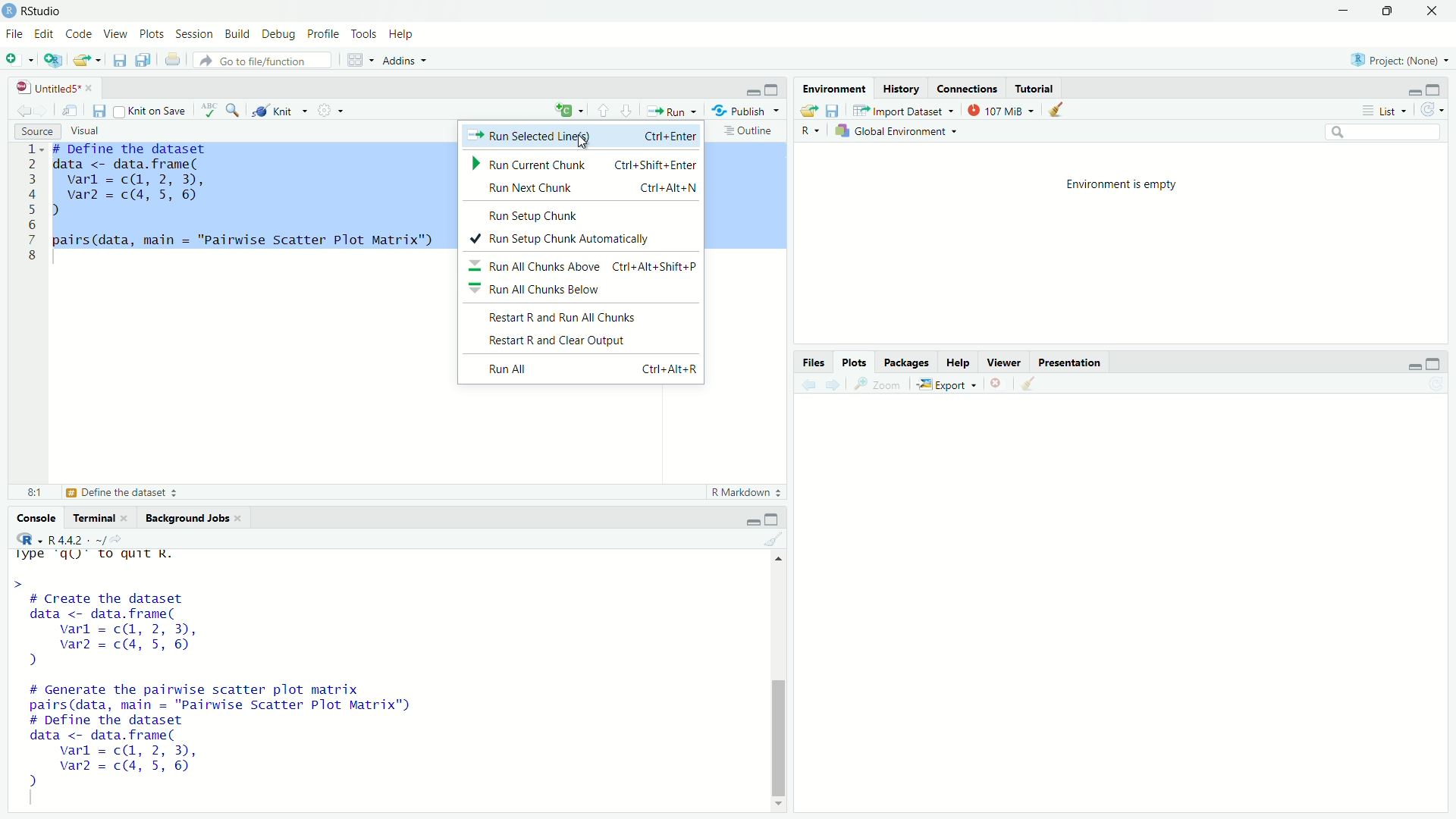  I want to click on Load workspace, so click(807, 108).